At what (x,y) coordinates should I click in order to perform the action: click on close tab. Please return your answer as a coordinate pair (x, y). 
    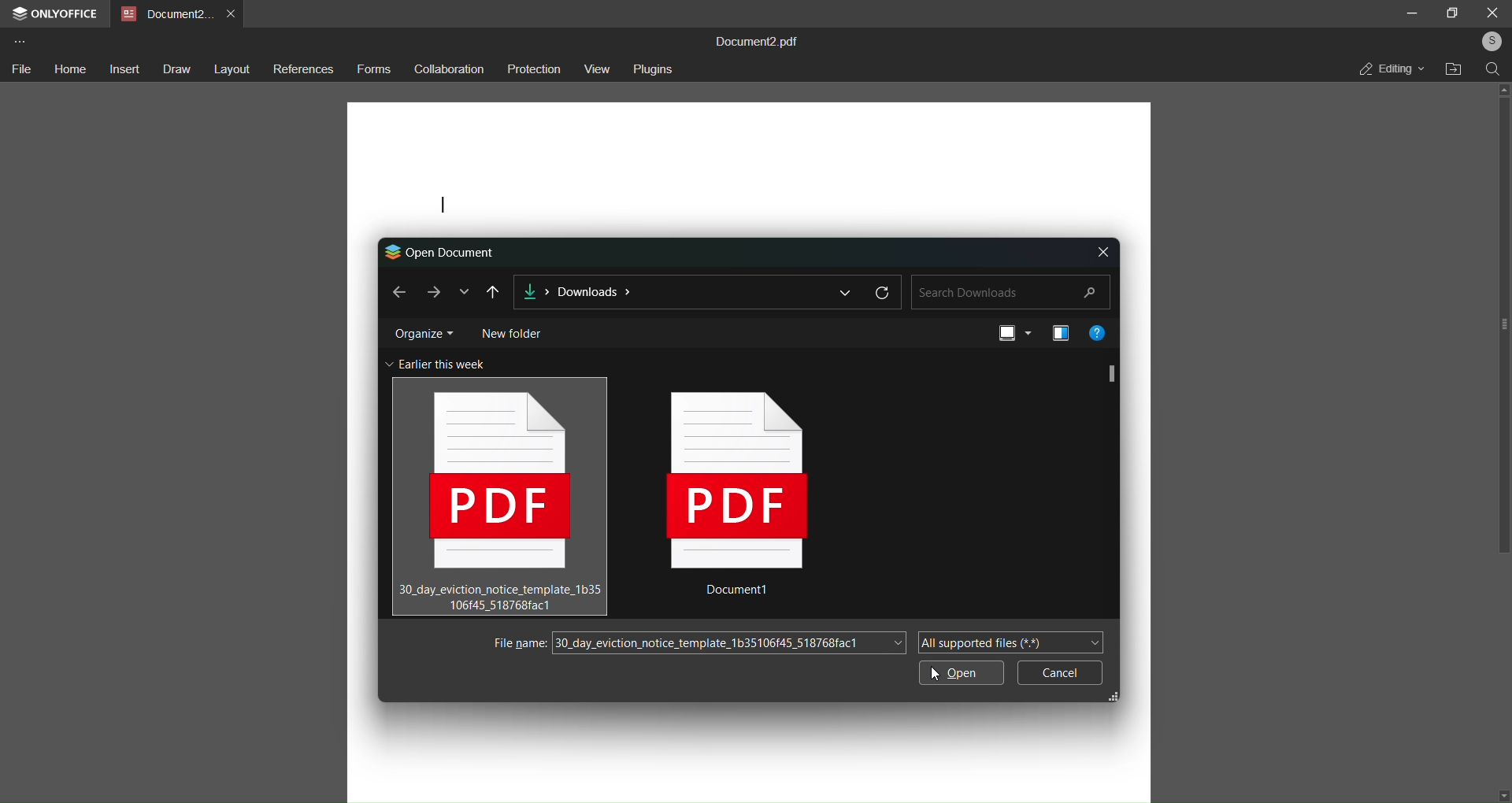
    Looking at the image, I should click on (233, 12).